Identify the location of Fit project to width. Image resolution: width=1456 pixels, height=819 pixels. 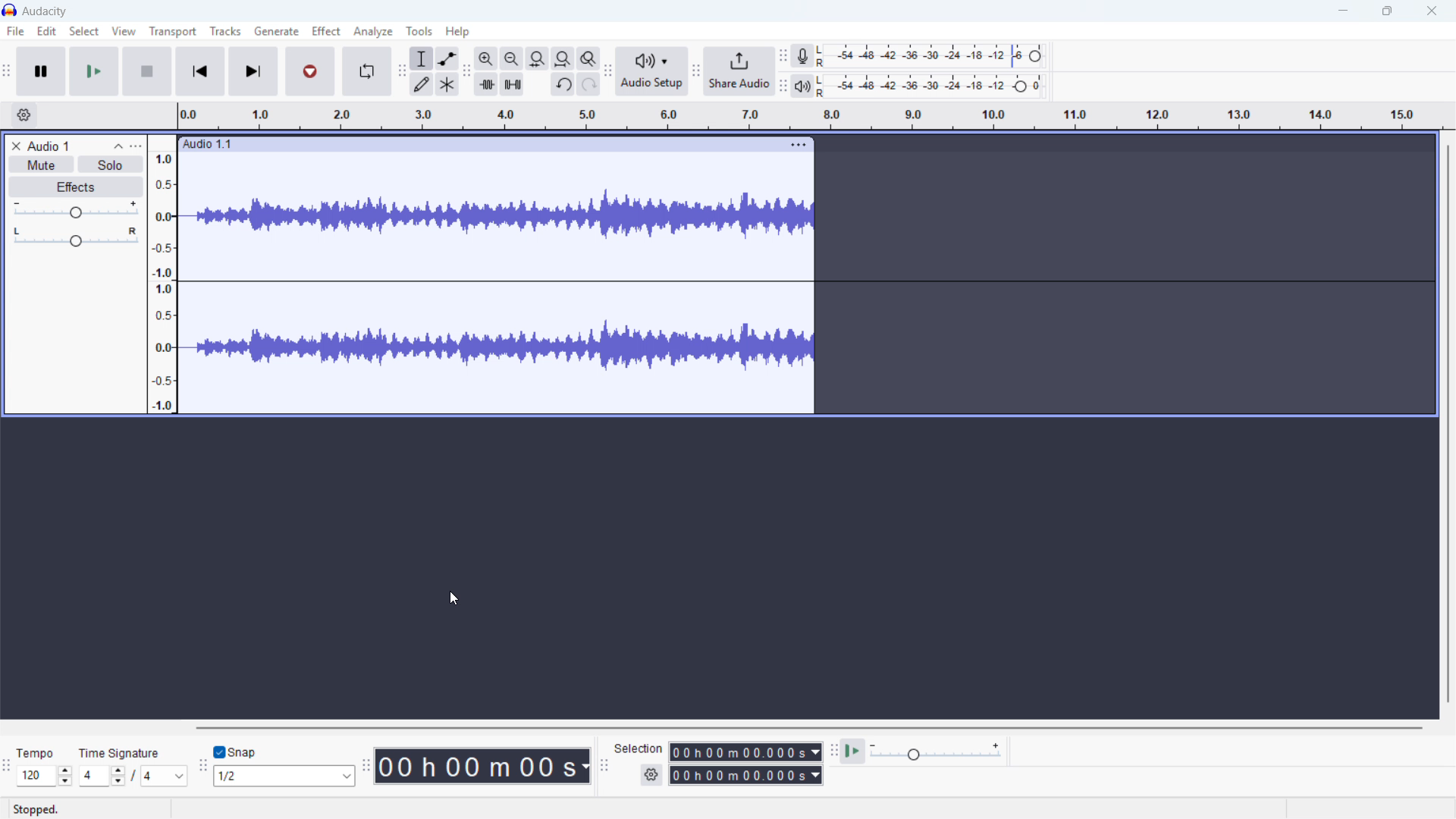
(563, 58).